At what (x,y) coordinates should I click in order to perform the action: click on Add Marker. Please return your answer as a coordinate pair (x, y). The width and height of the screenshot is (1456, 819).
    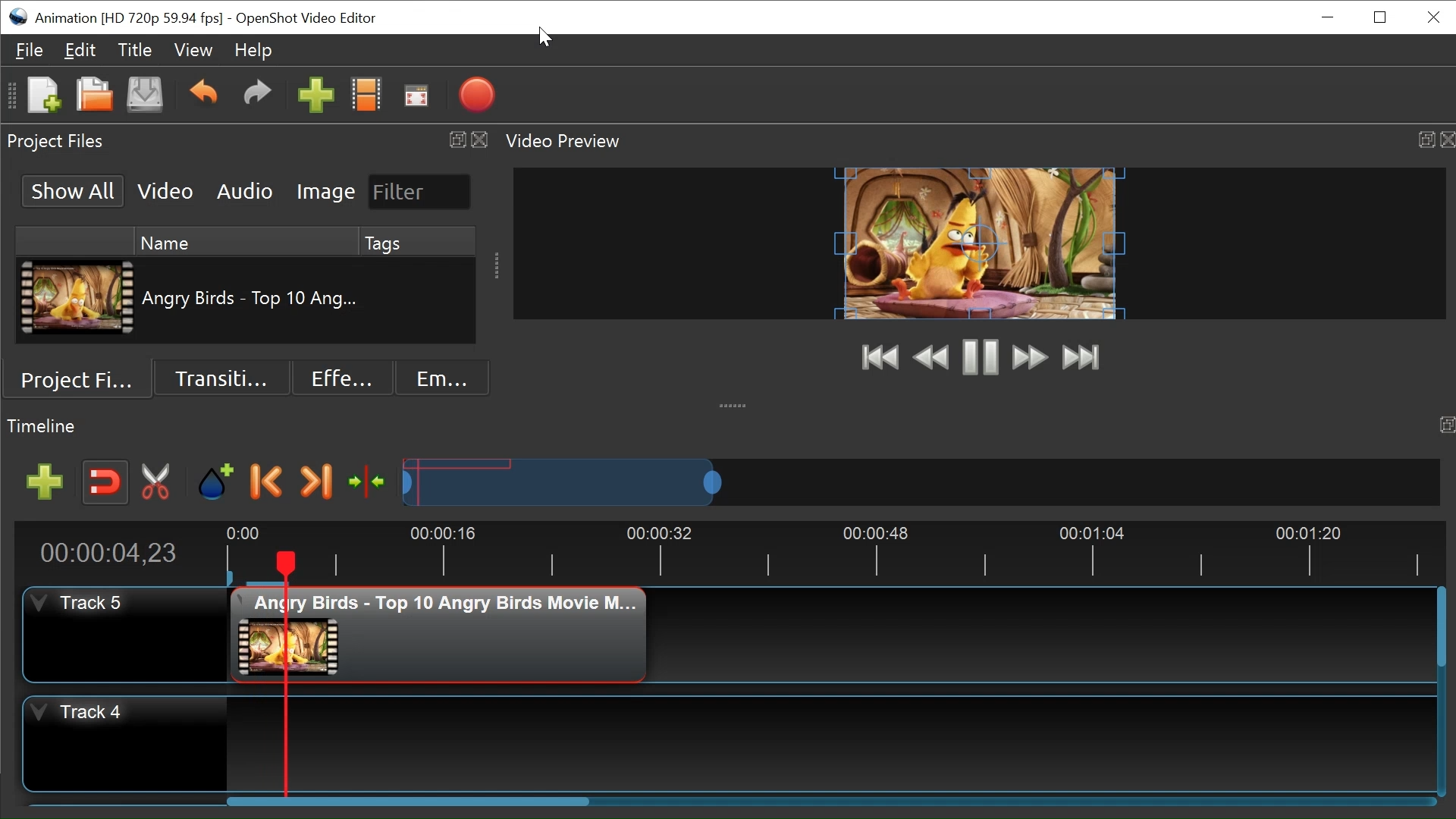
    Looking at the image, I should click on (218, 483).